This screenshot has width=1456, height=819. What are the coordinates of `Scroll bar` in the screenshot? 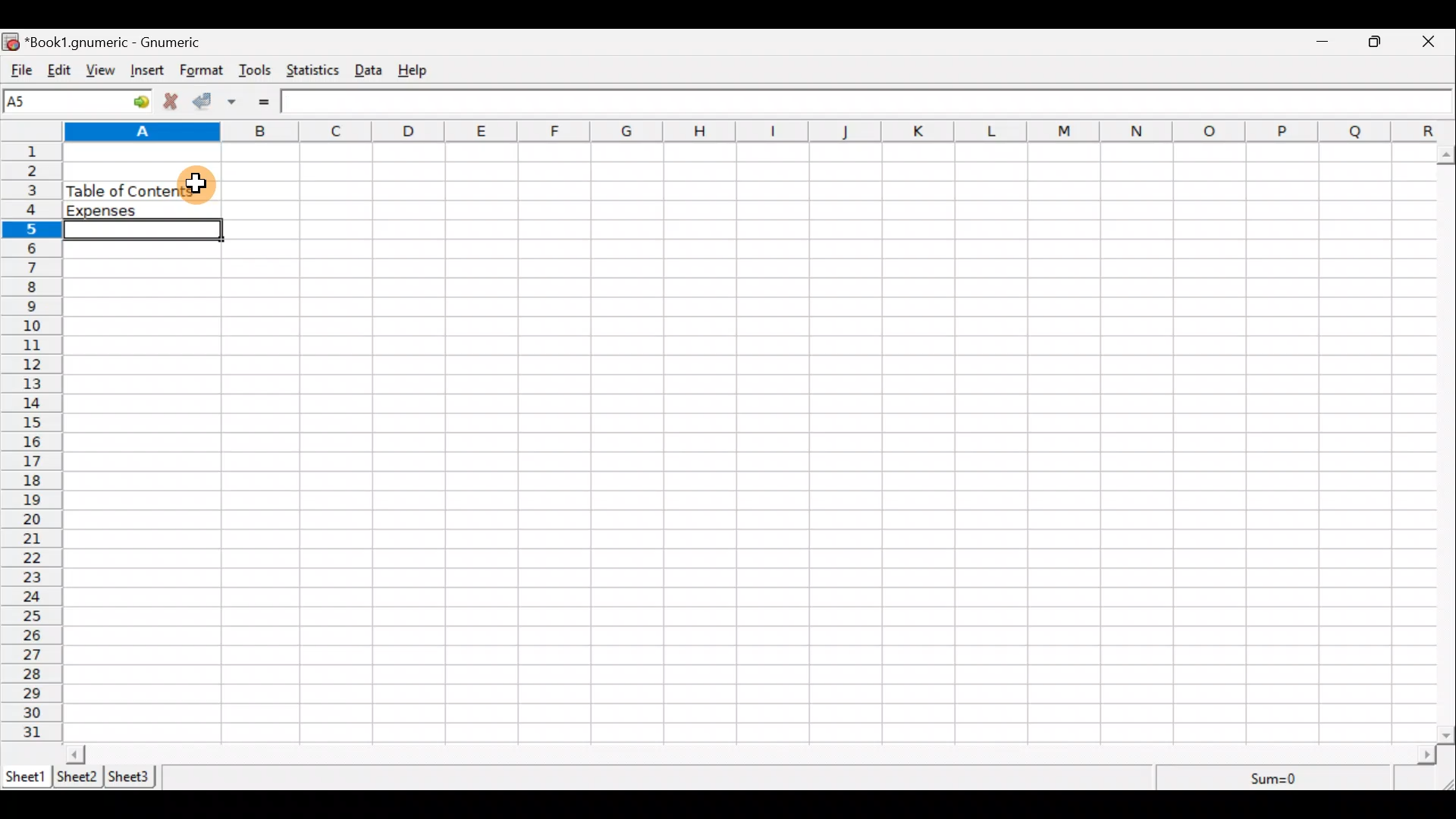 It's located at (752, 754).